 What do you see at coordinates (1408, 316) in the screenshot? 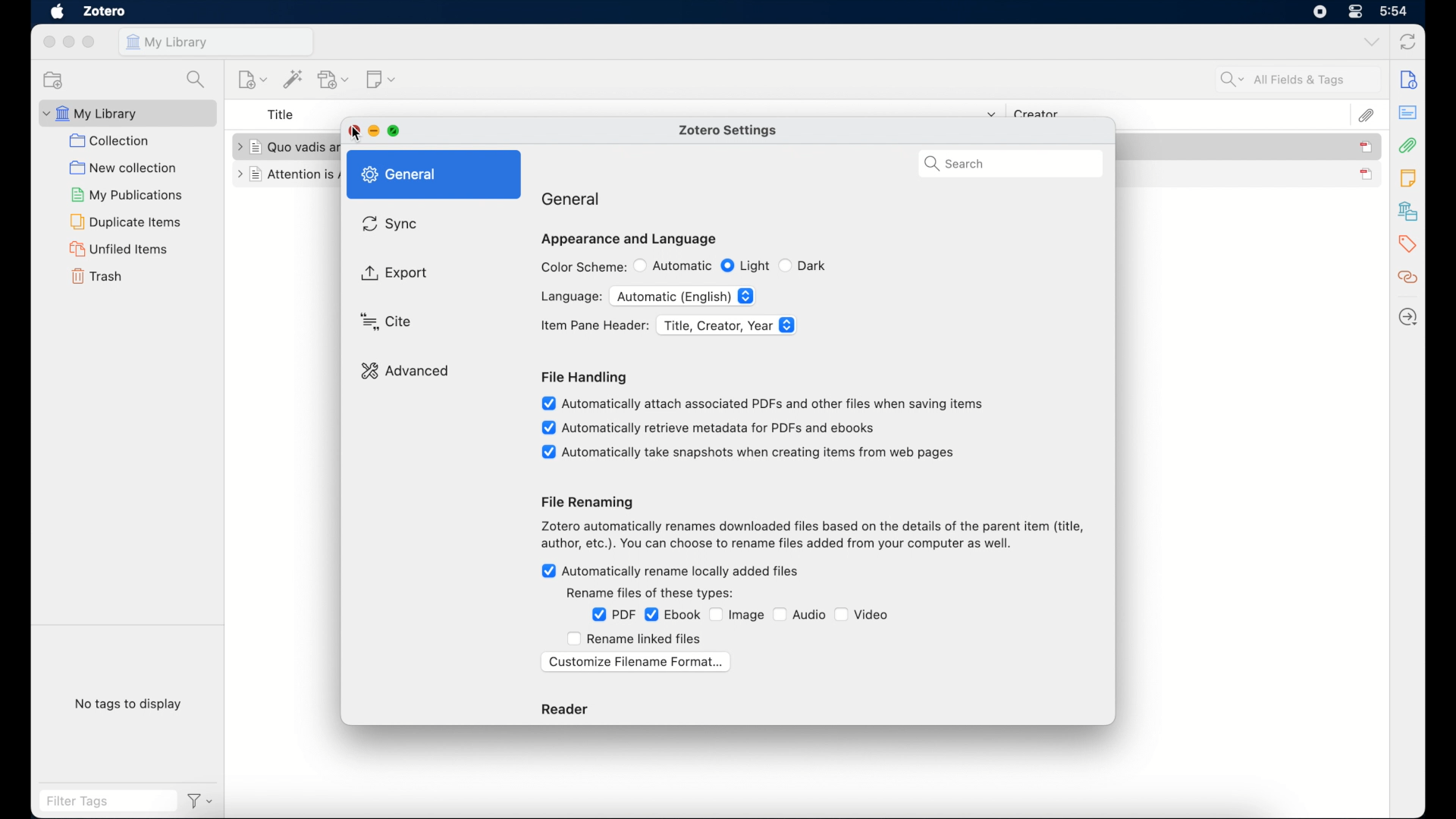
I see `locate` at bounding box center [1408, 316].